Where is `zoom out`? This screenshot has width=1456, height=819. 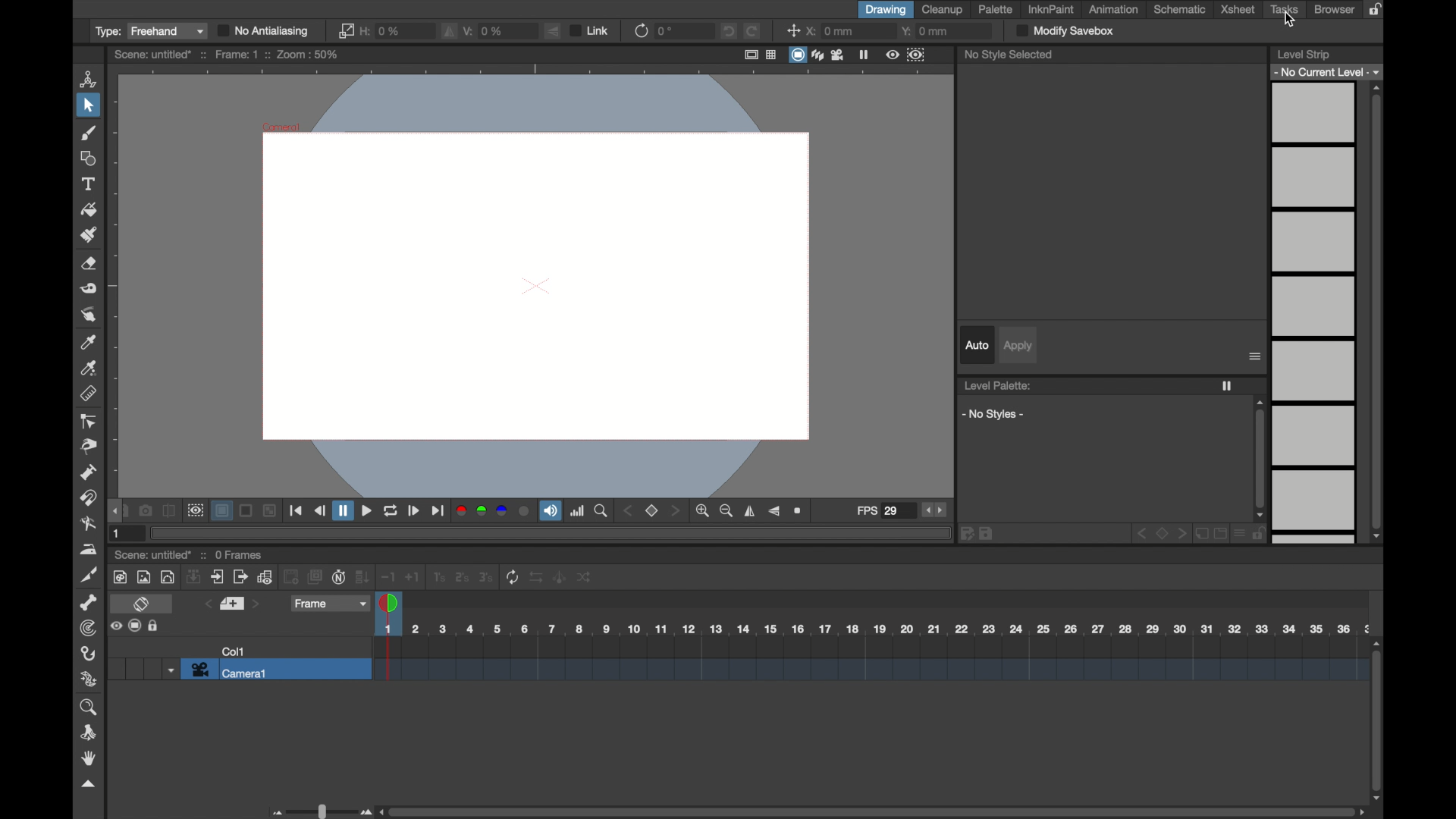 zoom out is located at coordinates (726, 511).